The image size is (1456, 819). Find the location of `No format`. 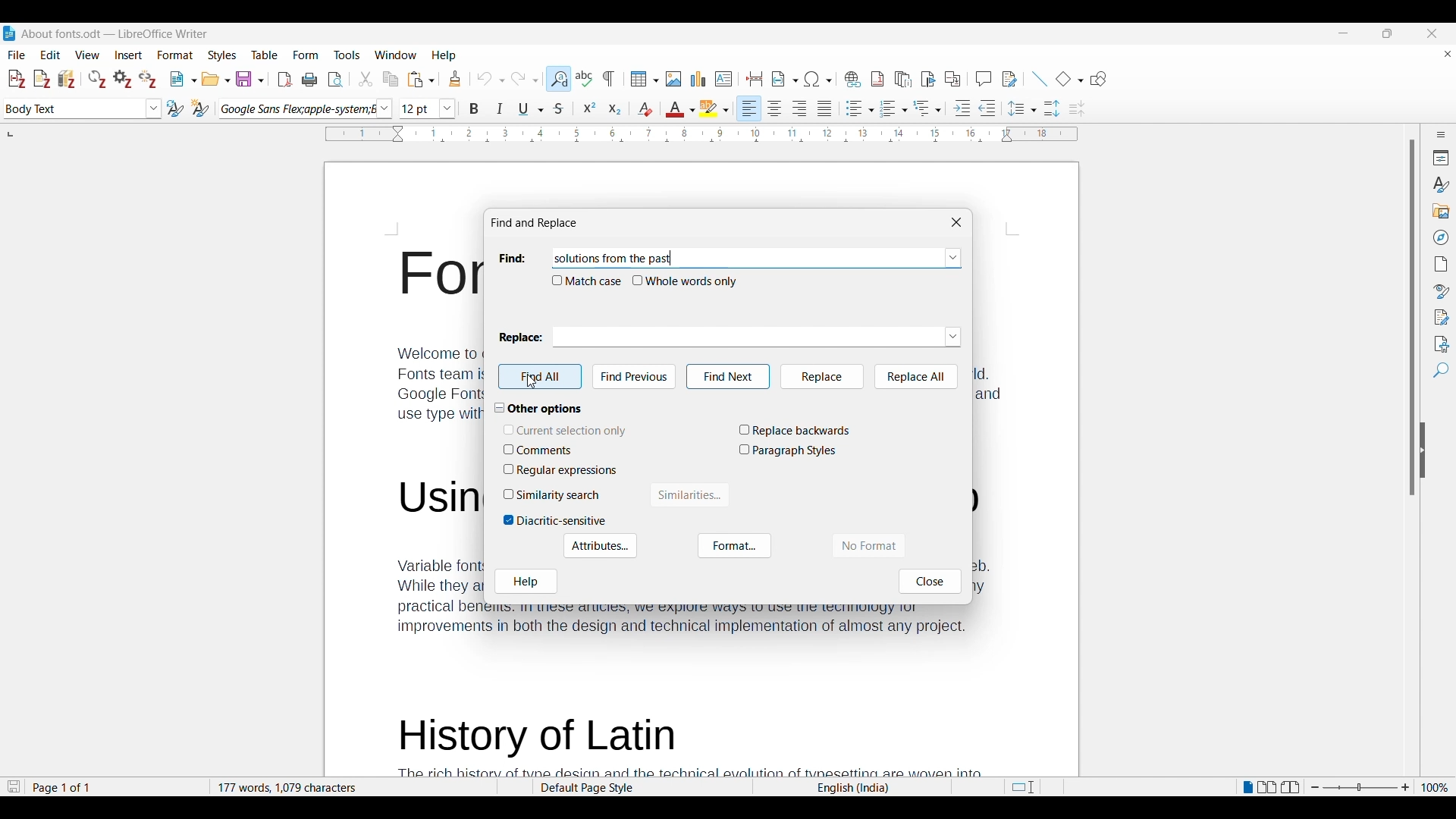

No format is located at coordinates (868, 546).